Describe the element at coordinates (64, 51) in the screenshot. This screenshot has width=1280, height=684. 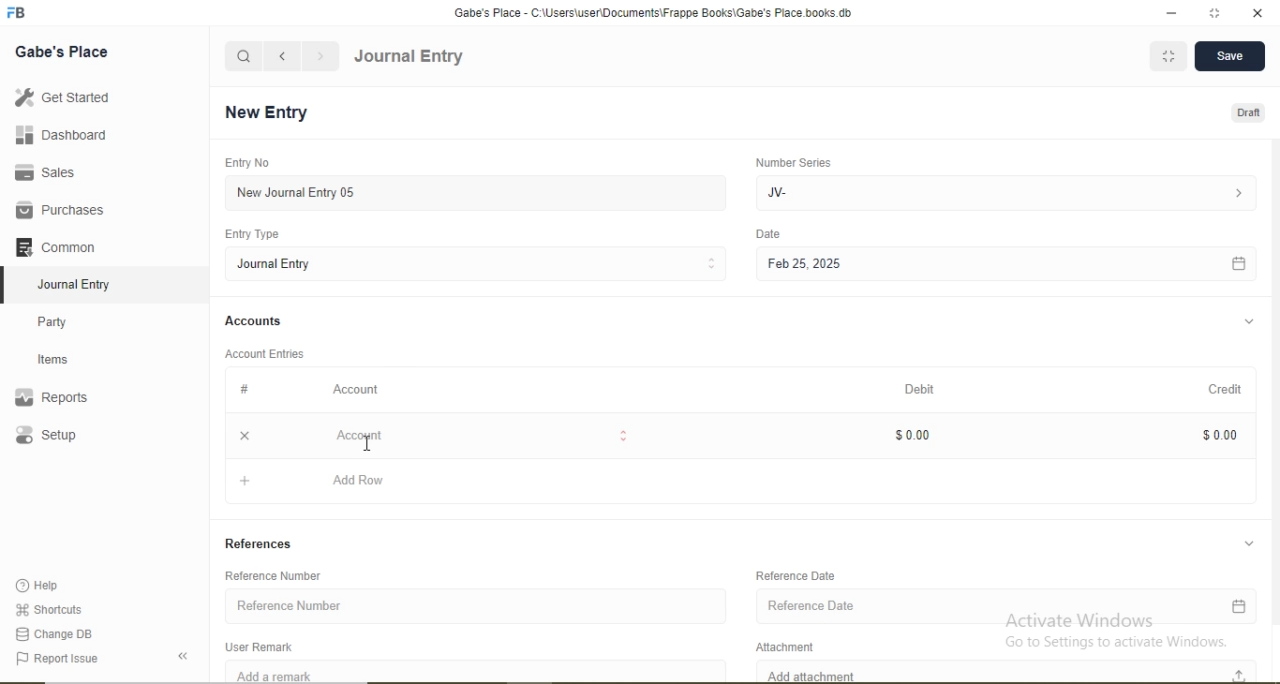
I see `Gabe's Place` at that location.